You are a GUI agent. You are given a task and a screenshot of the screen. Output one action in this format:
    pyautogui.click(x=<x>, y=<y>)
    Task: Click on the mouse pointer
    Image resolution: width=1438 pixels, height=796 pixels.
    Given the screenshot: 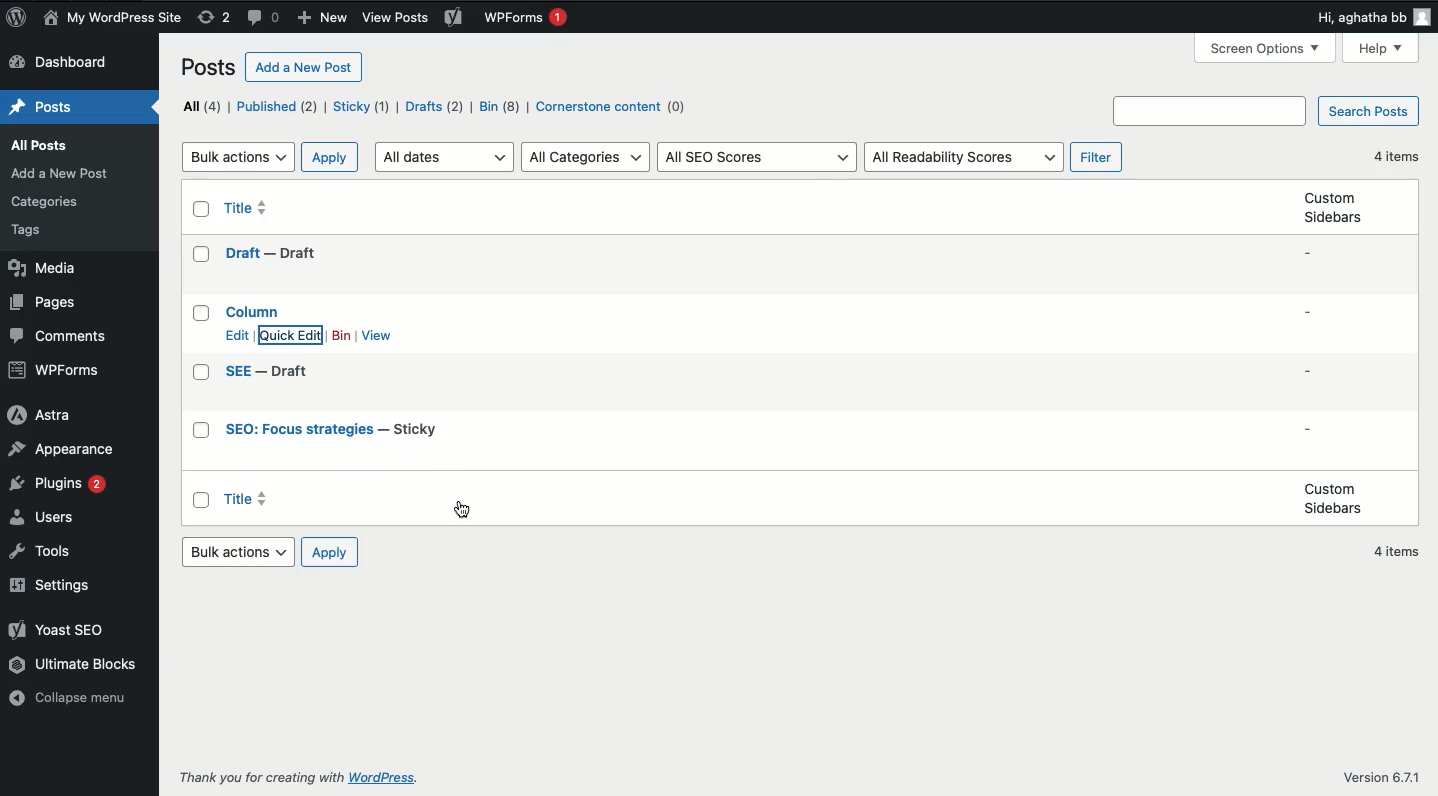 What is the action you would take?
    pyautogui.click(x=271, y=351)
    